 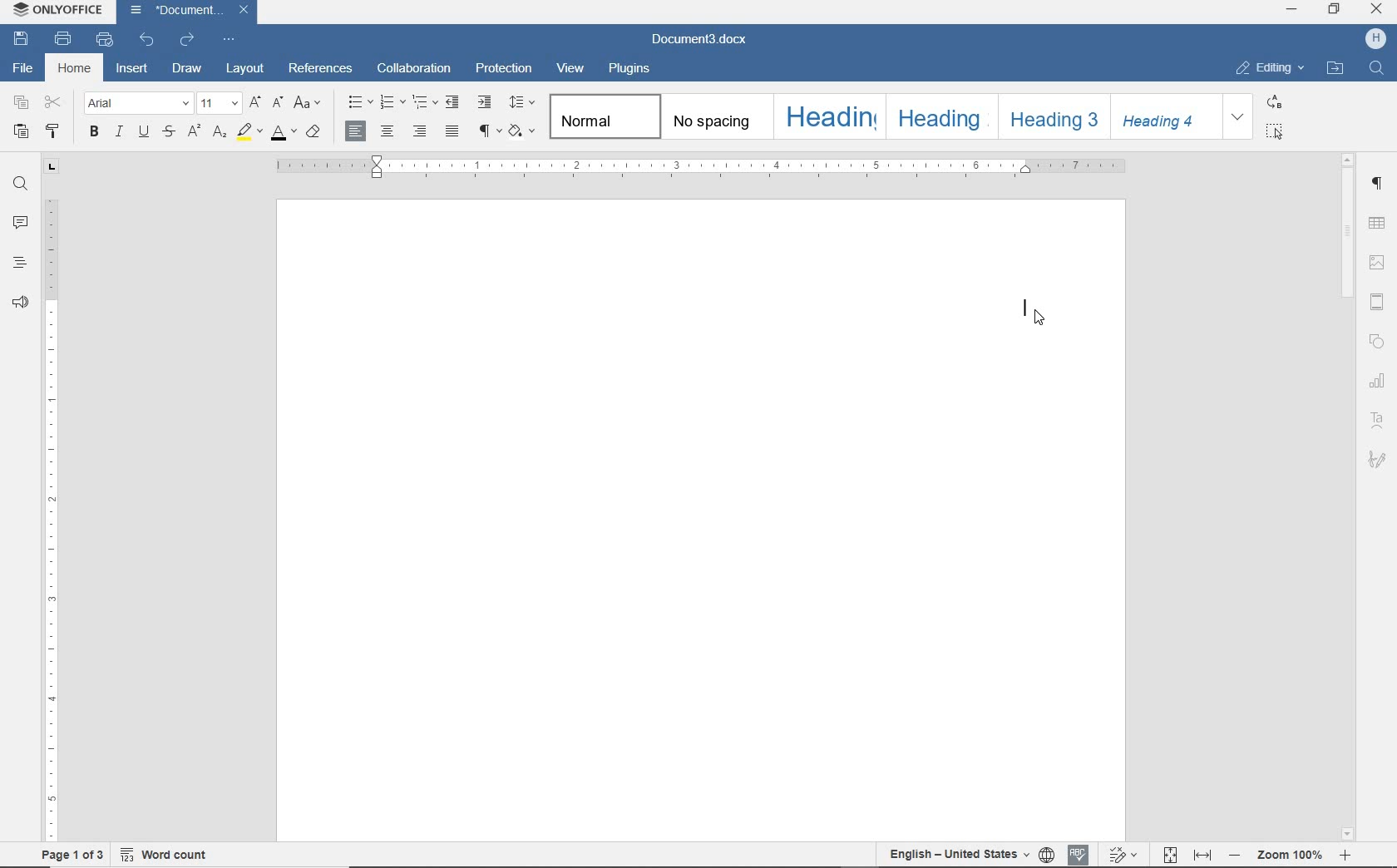 What do you see at coordinates (21, 103) in the screenshot?
I see `COPY` at bounding box center [21, 103].